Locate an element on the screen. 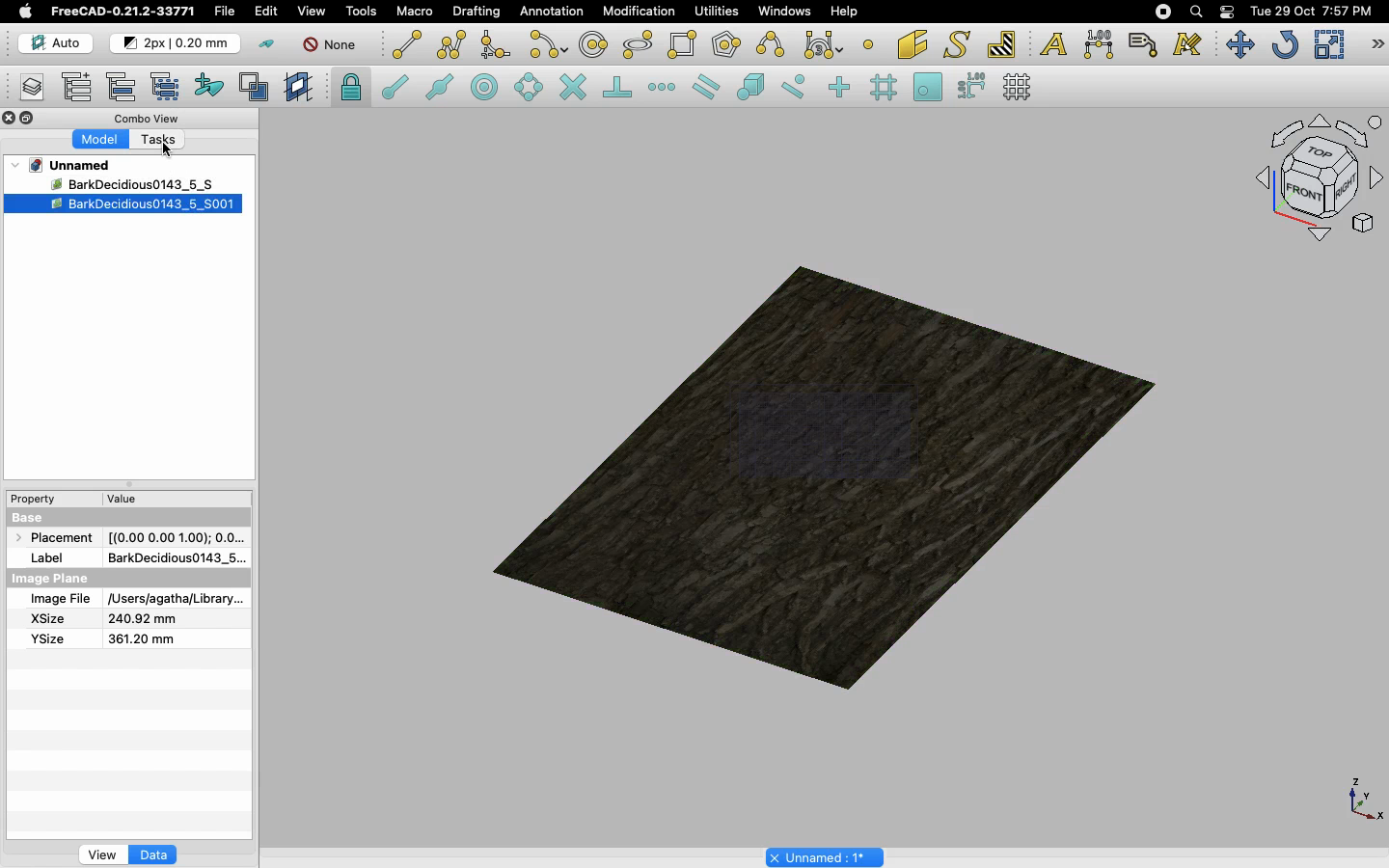 The width and height of the screenshot is (1389, 868). View is located at coordinates (312, 10).